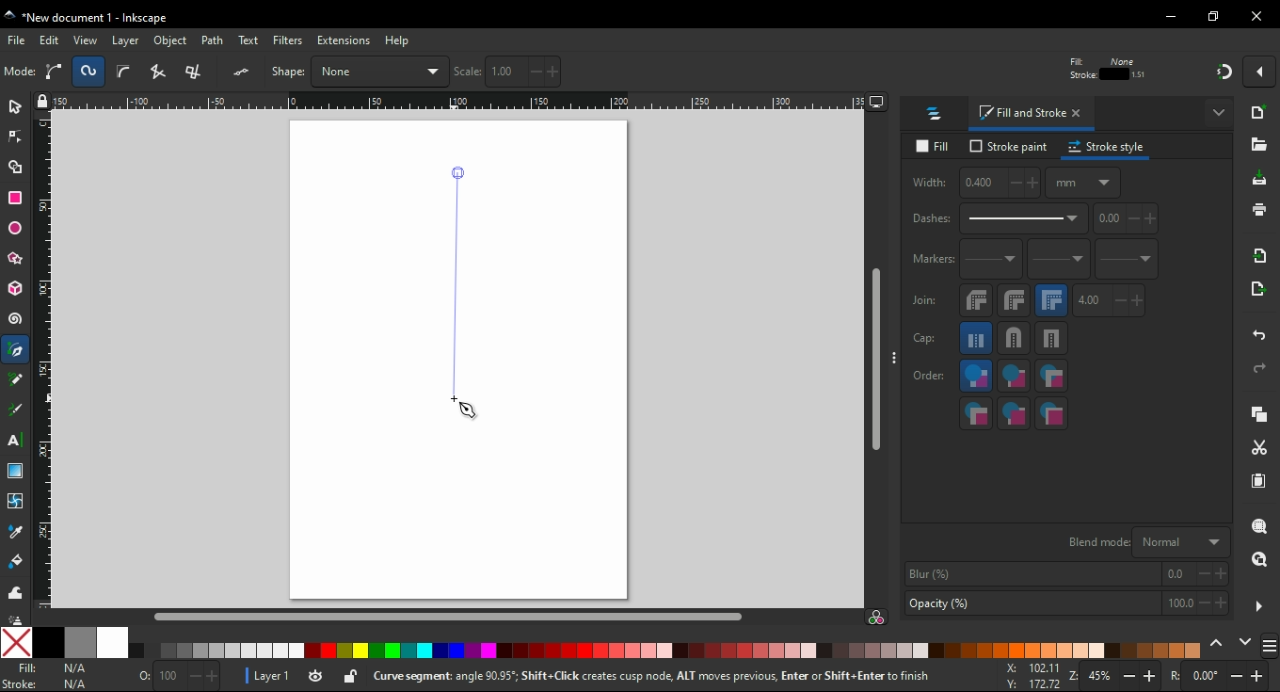 Image resolution: width=1280 pixels, height=692 pixels. Describe the element at coordinates (394, 72) in the screenshot. I see `lower` at that location.